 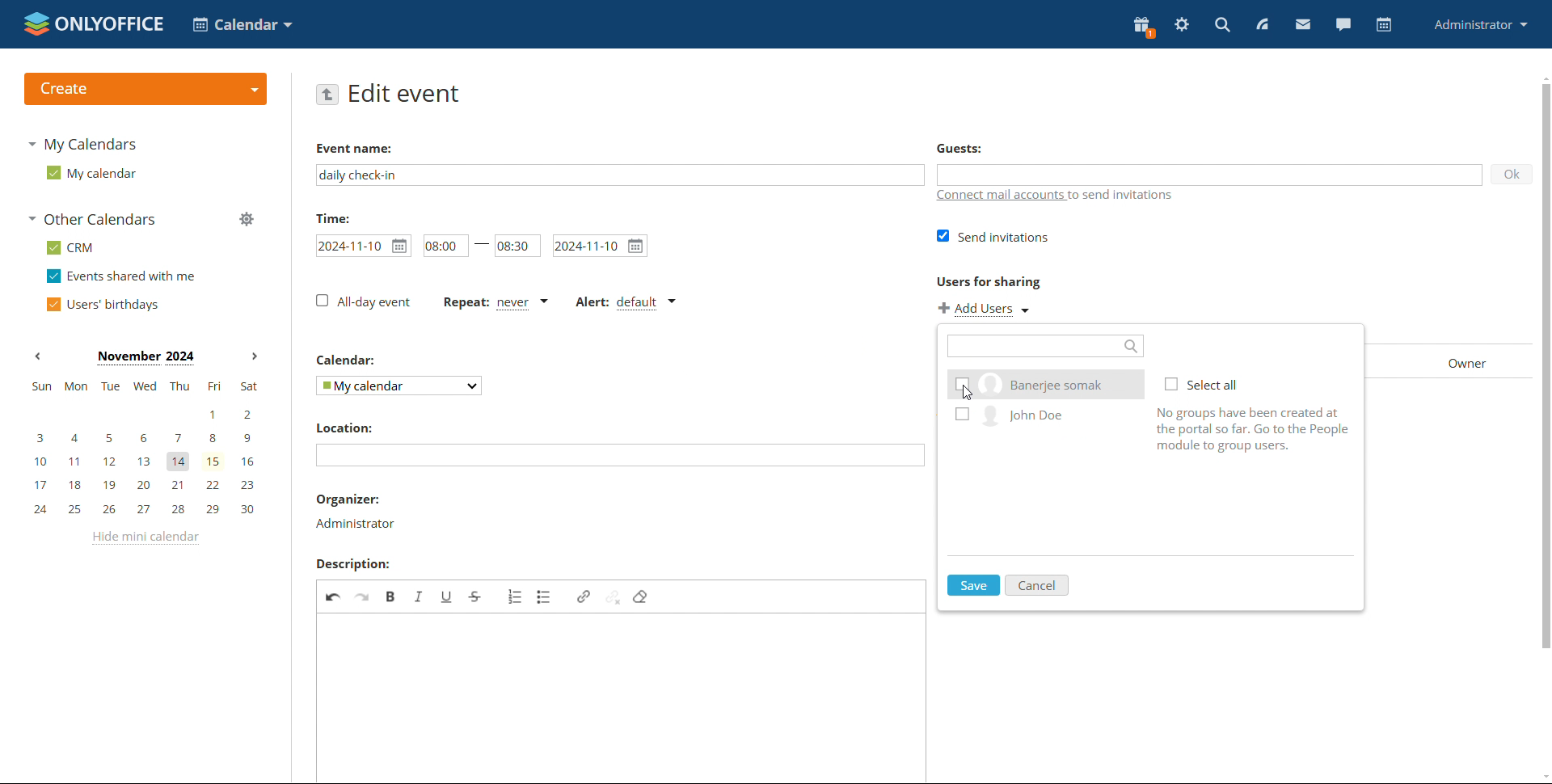 I want to click on add location, so click(x=620, y=455).